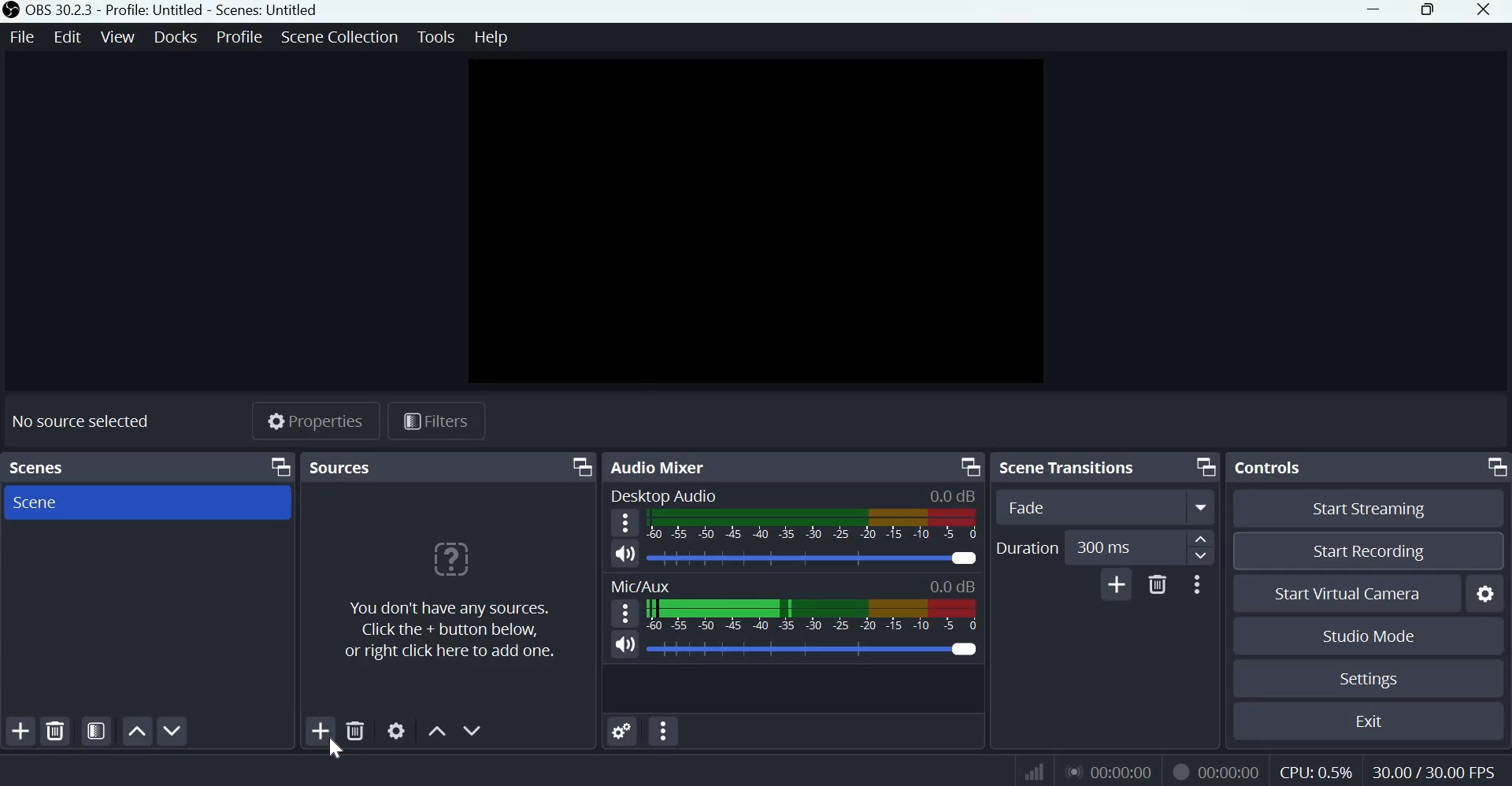 The image size is (1512, 786). What do you see at coordinates (57, 730) in the screenshot?
I see `Remove selected scene` at bounding box center [57, 730].